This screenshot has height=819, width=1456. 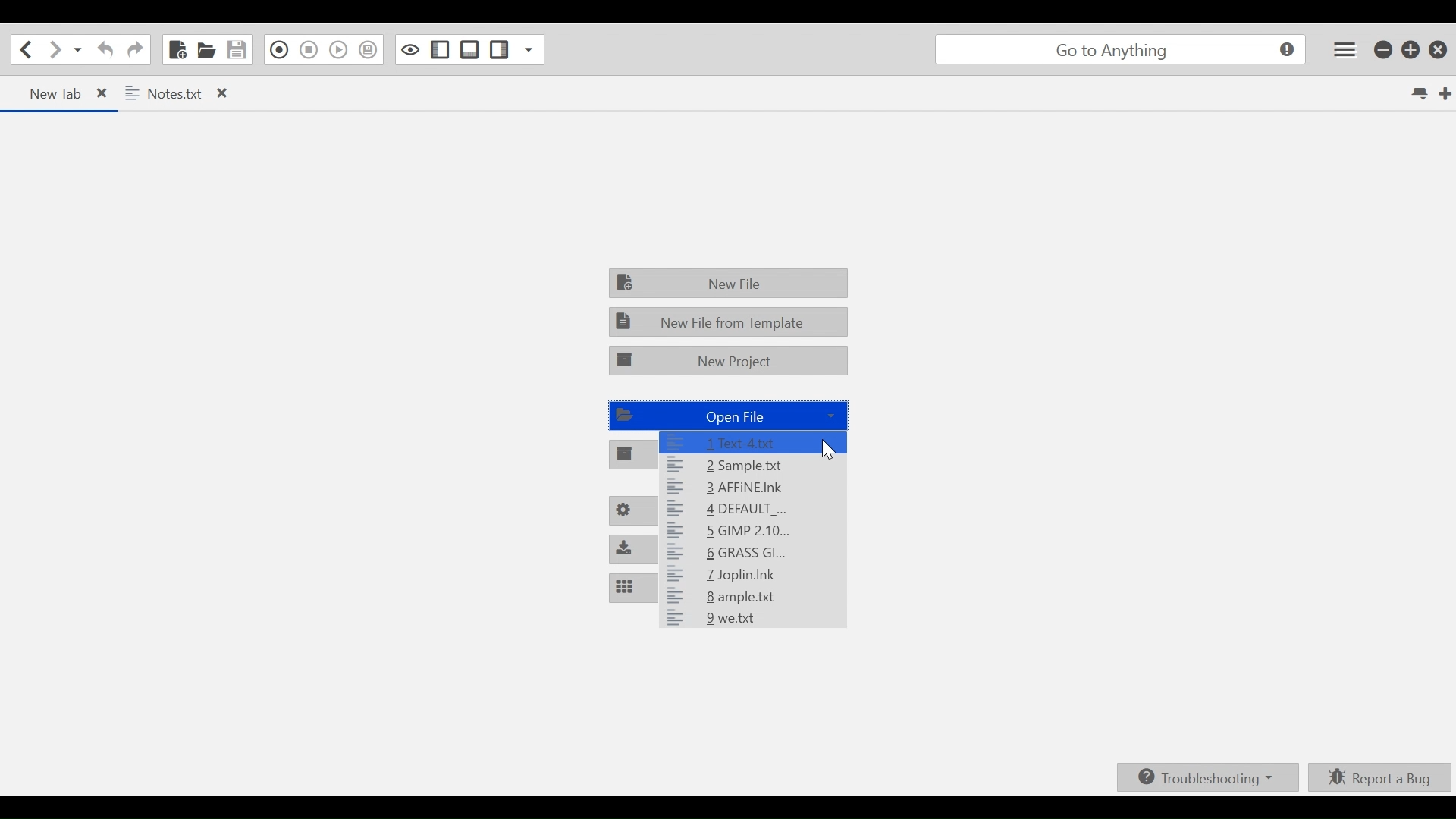 I want to click on 1 text-4.txt, so click(x=755, y=442).